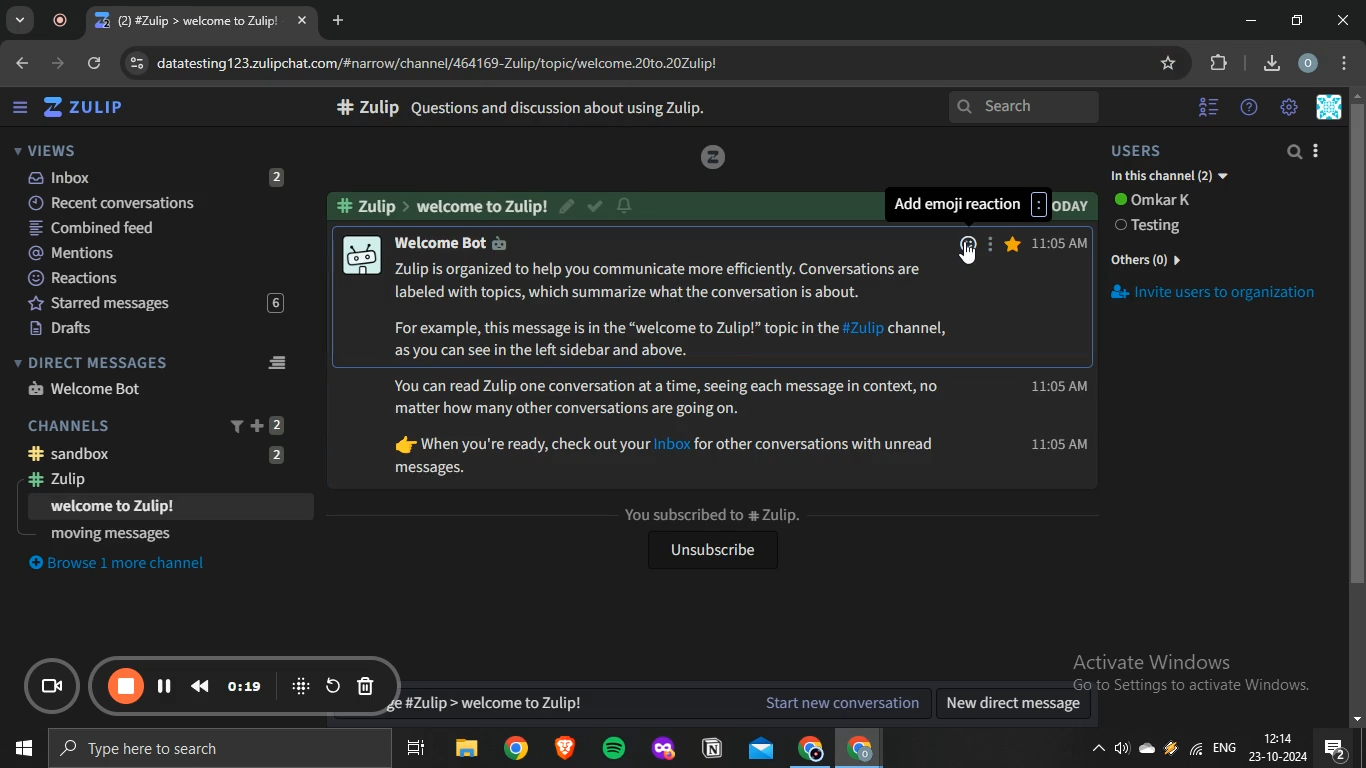  I want to click on sandbox, so click(166, 453).